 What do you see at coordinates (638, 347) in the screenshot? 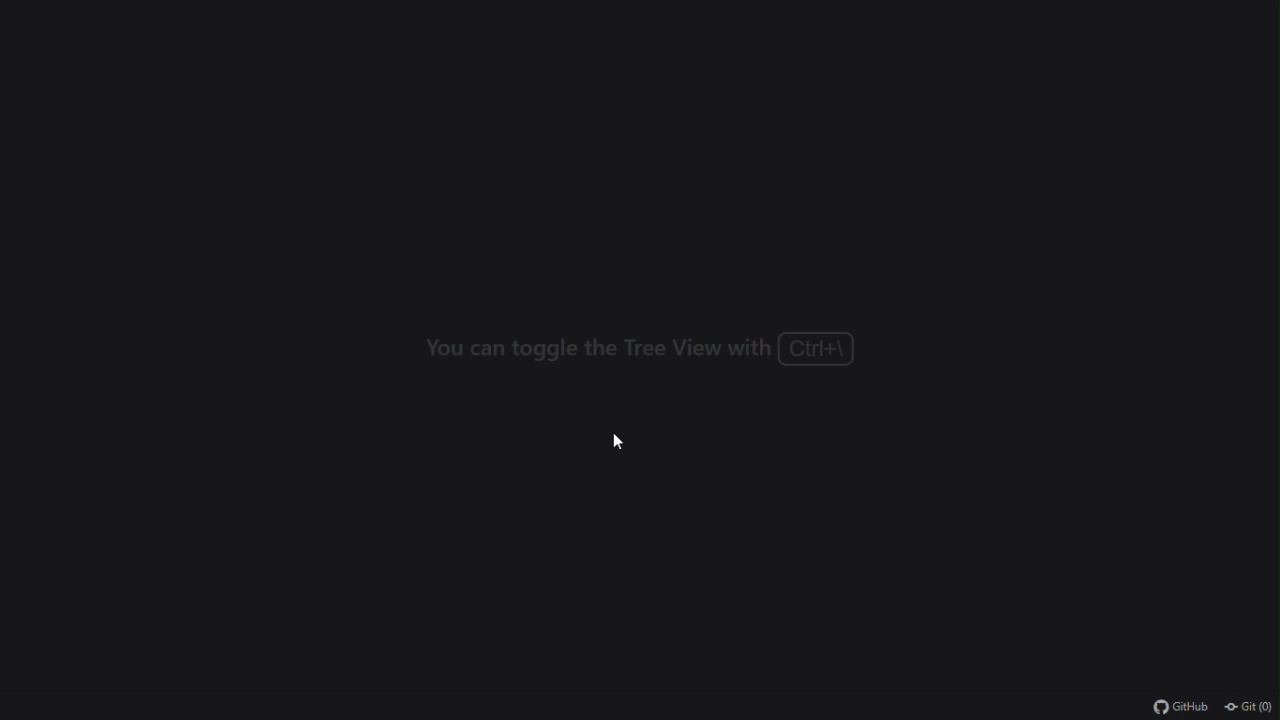
I see `You can toggle the Tree View with ctrl+\` at bounding box center [638, 347].